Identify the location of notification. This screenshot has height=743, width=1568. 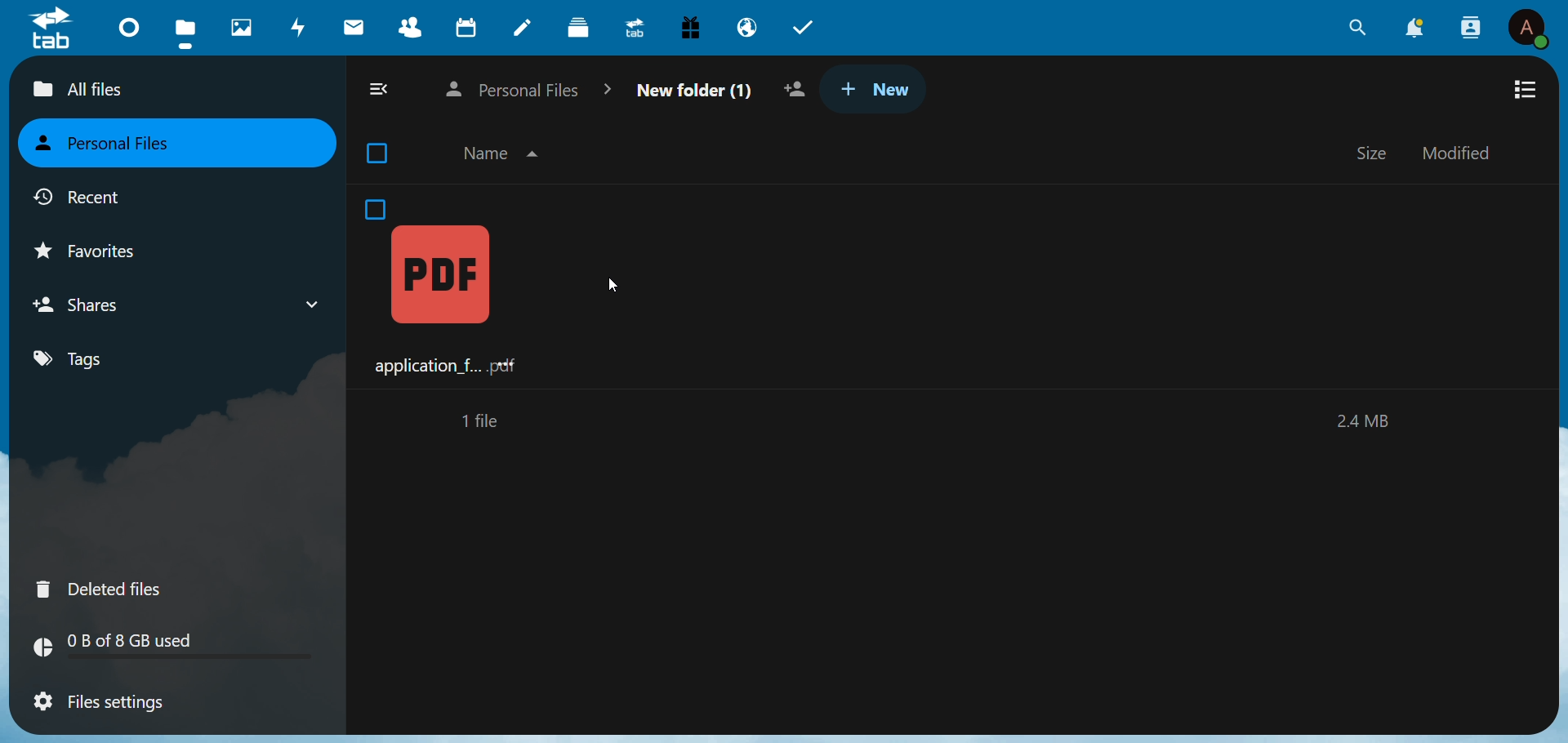
(1414, 29).